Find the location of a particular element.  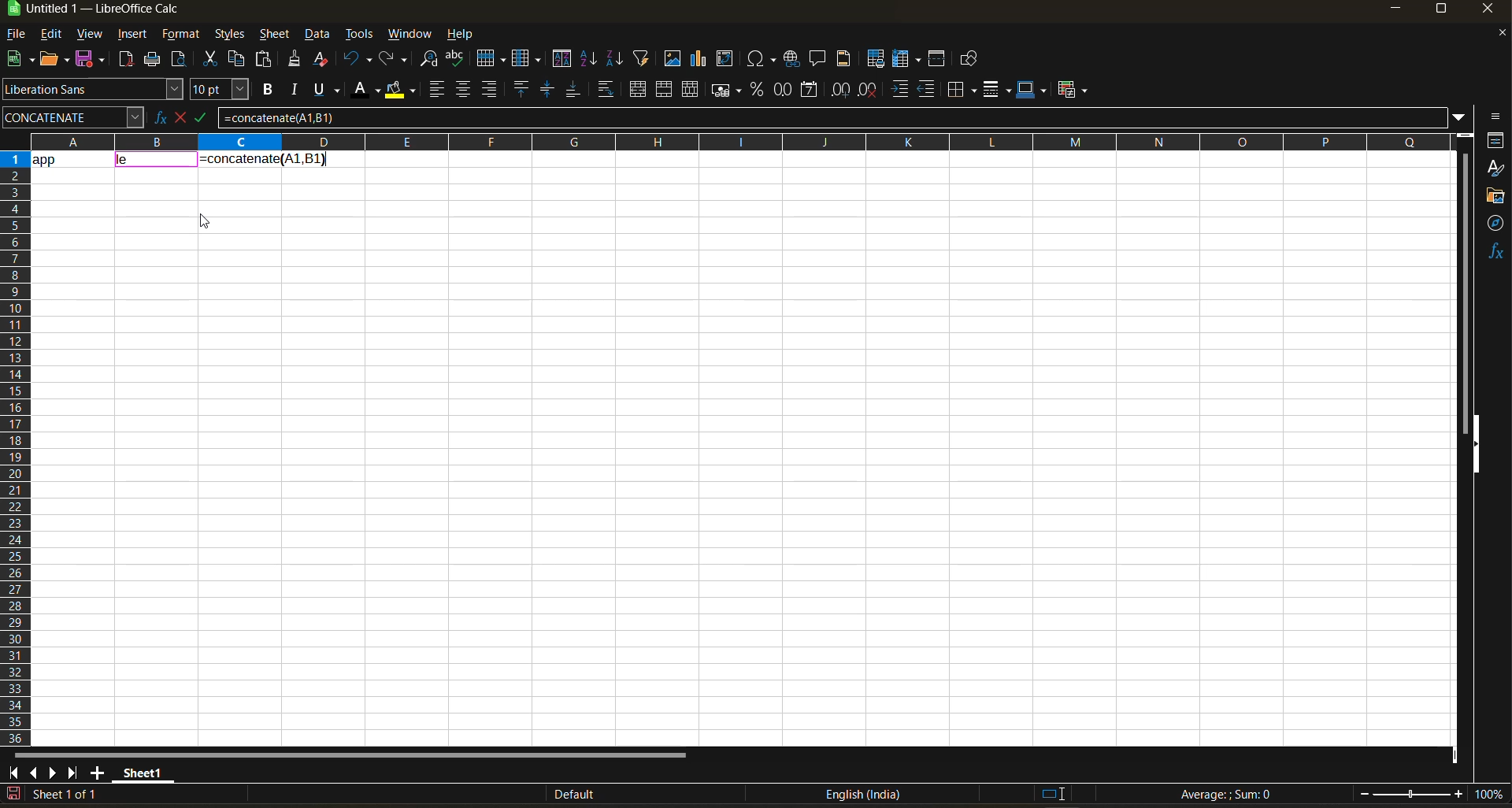

sheet is located at coordinates (274, 34).